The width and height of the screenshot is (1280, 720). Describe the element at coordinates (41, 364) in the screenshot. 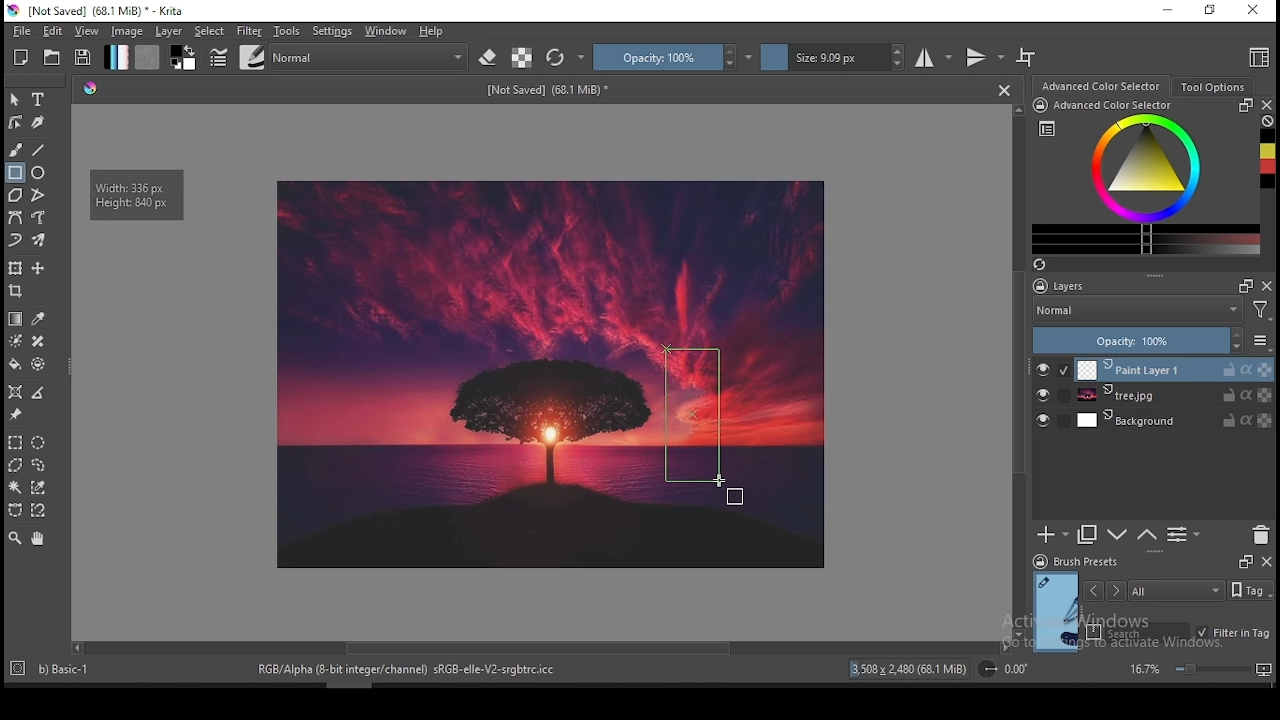

I see `enclose and fill tool` at that location.